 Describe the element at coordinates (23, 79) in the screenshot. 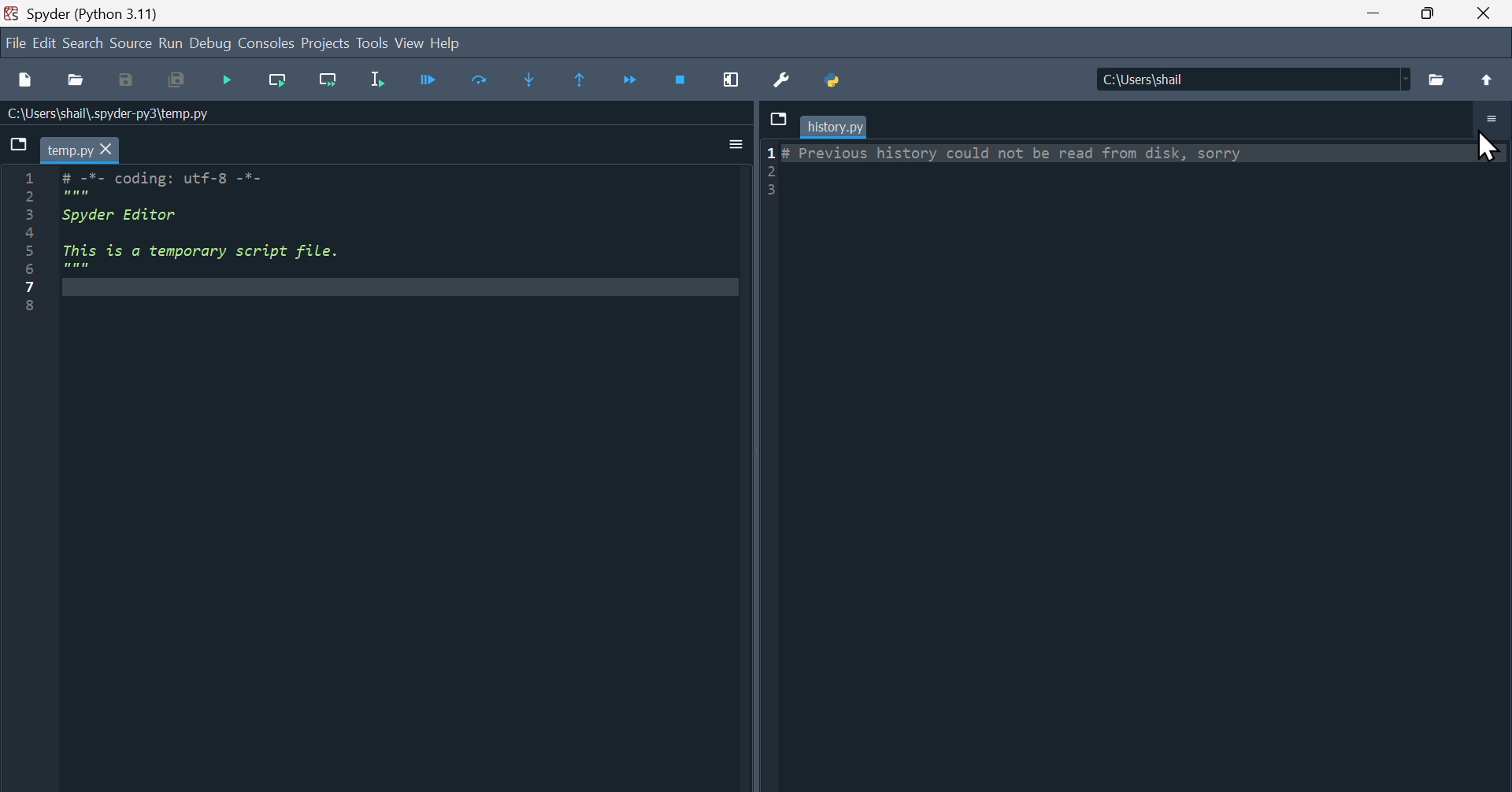

I see `New file` at that location.